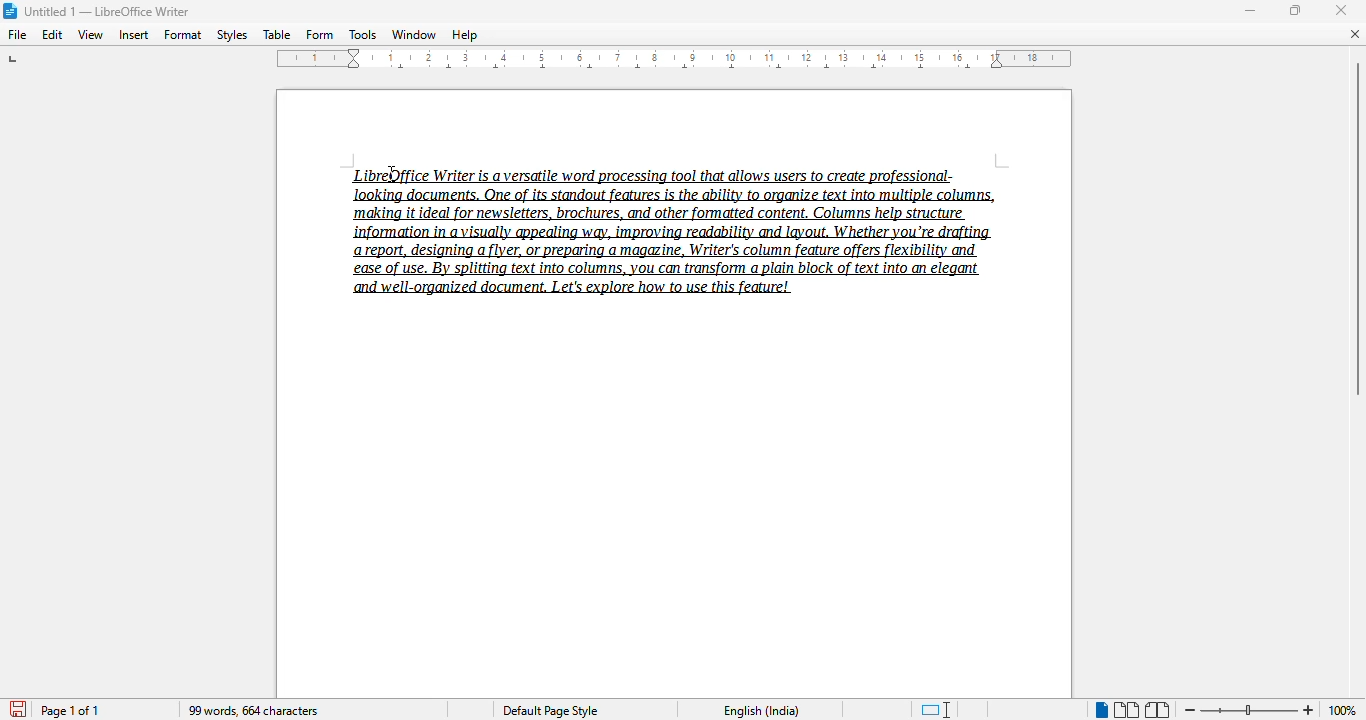 Image resolution: width=1366 pixels, height=720 pixels. I want to click on click to save document, so click(19, 710).